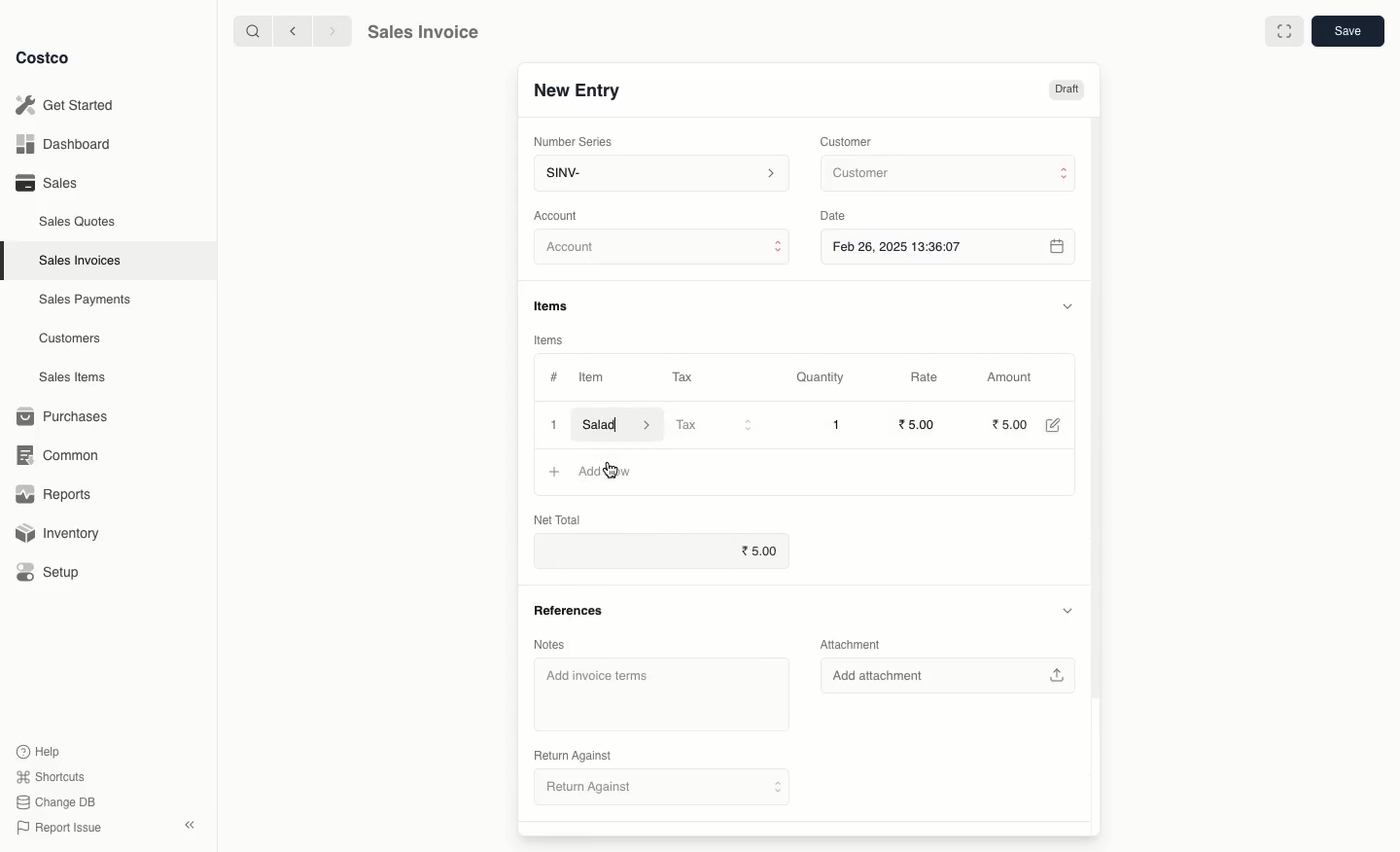  Describe the element at coordinates (759, 550) in the screenshot. I see `5.00` at that location.